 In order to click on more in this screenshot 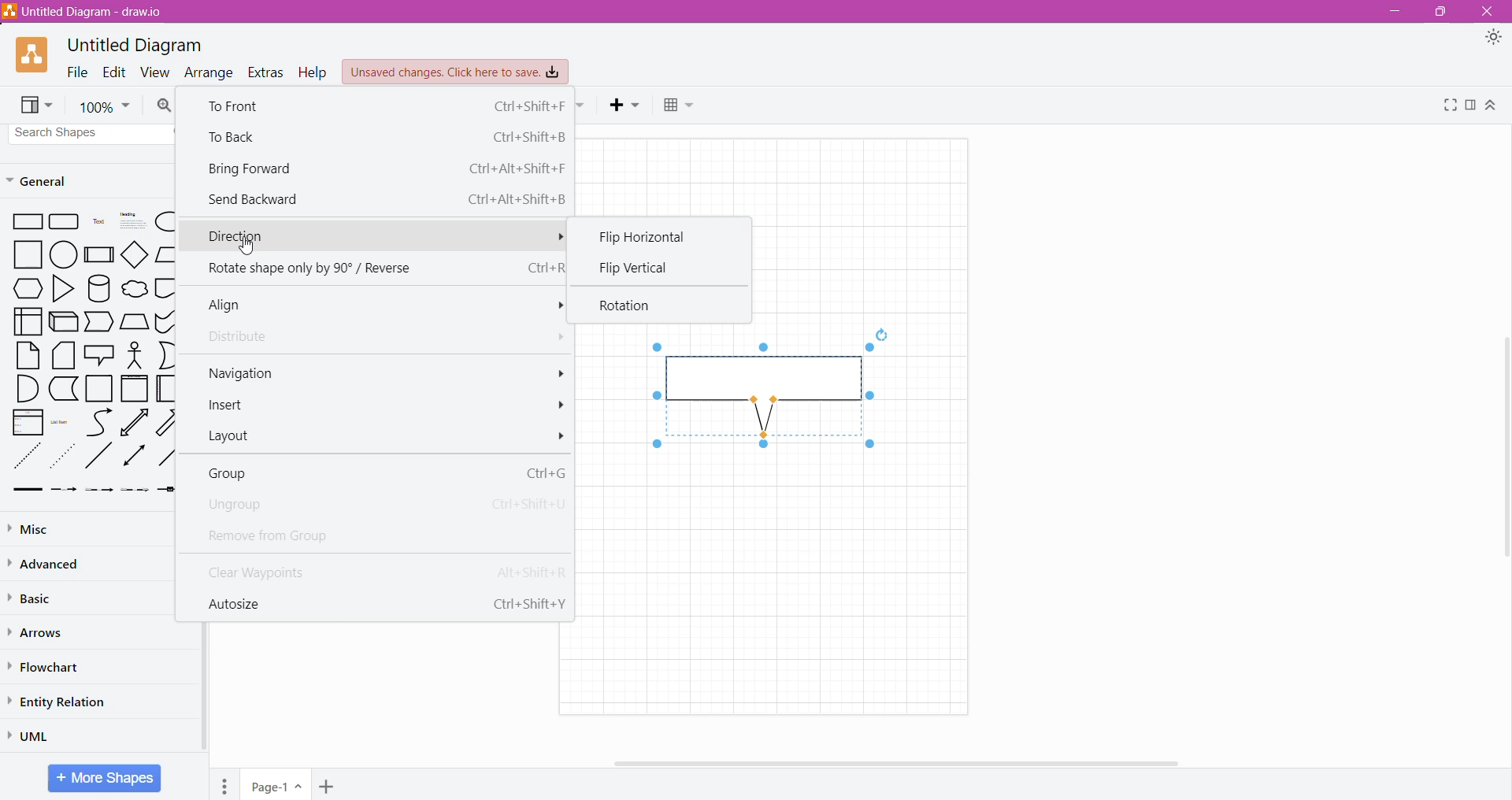, I will do `click(554, 338)`.